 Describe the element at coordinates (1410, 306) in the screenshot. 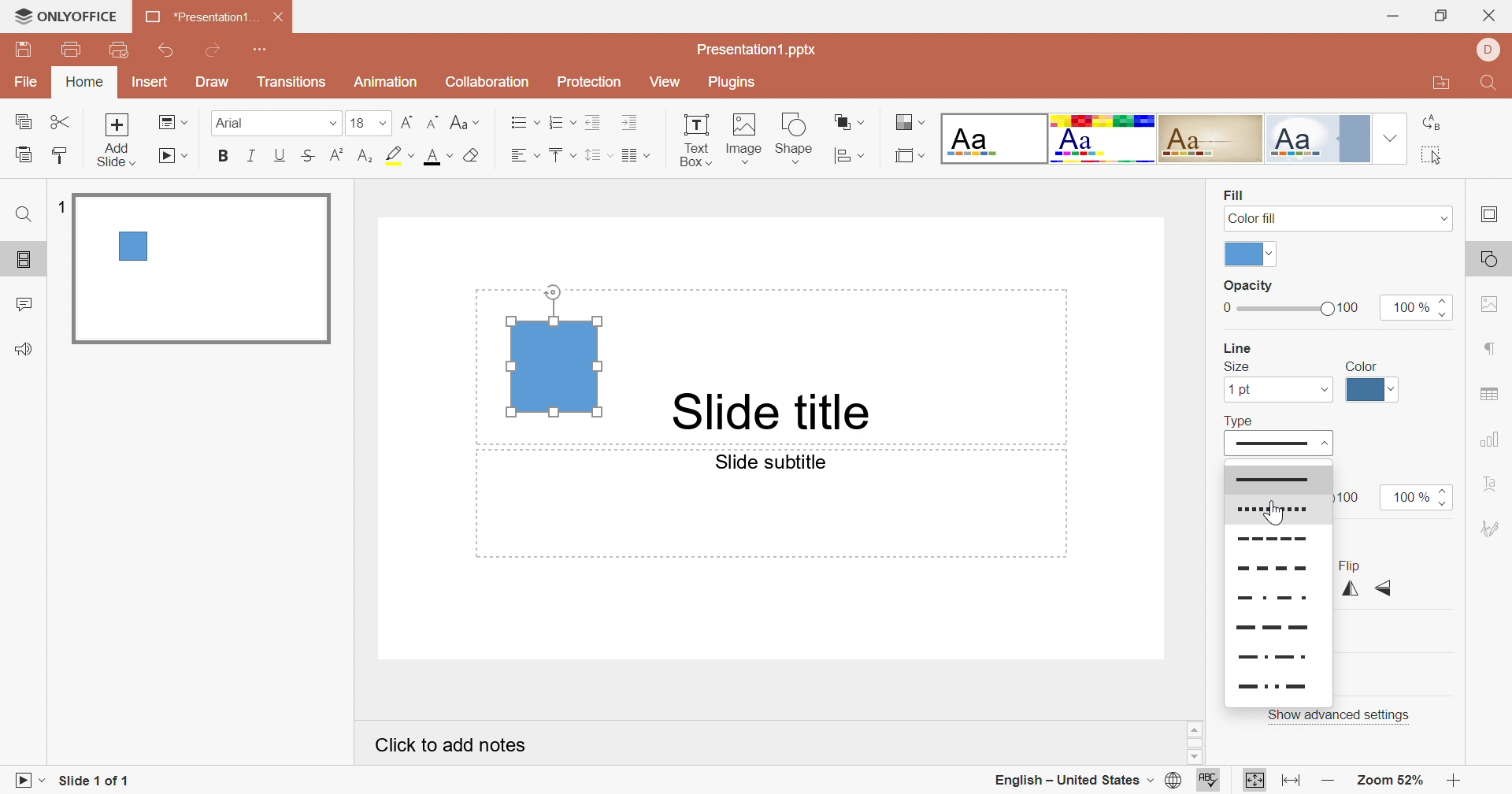

I see `100%` at that location.